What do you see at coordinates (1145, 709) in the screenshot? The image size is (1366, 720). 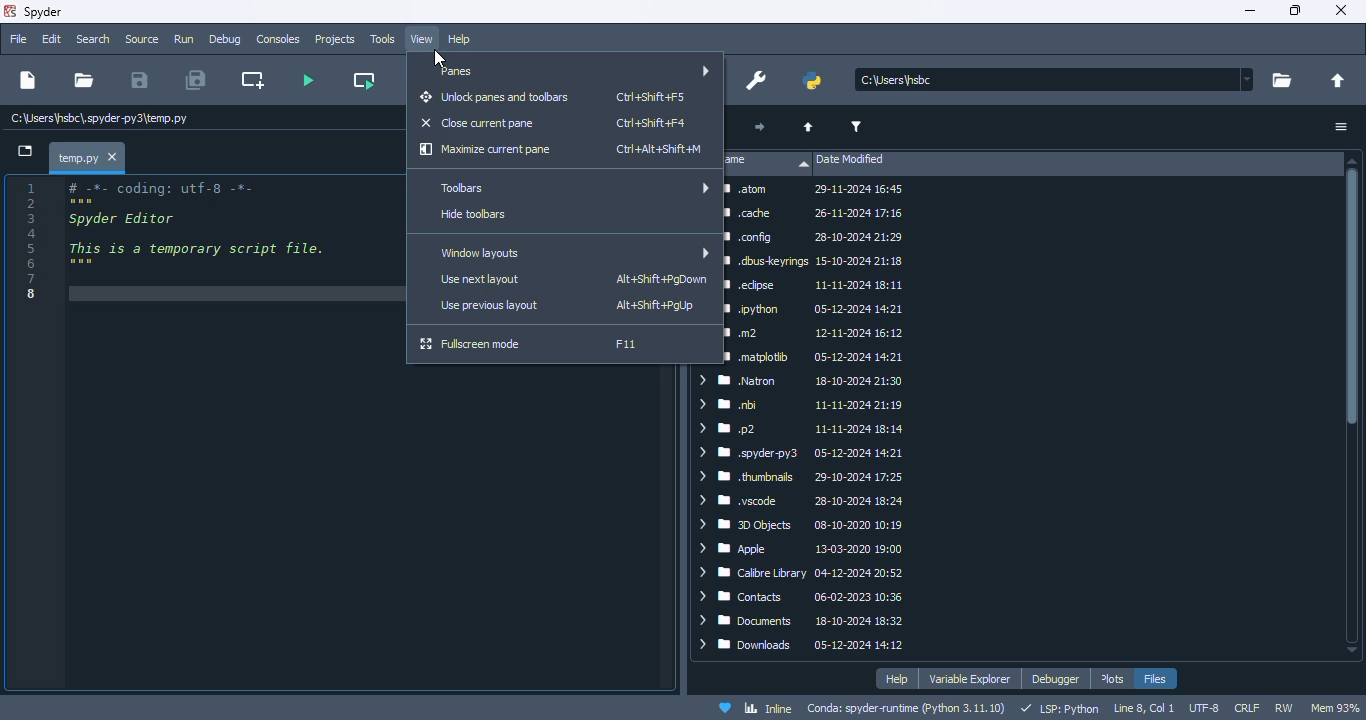 I see `line 8, col 1` at bounding box center [1145, 709].